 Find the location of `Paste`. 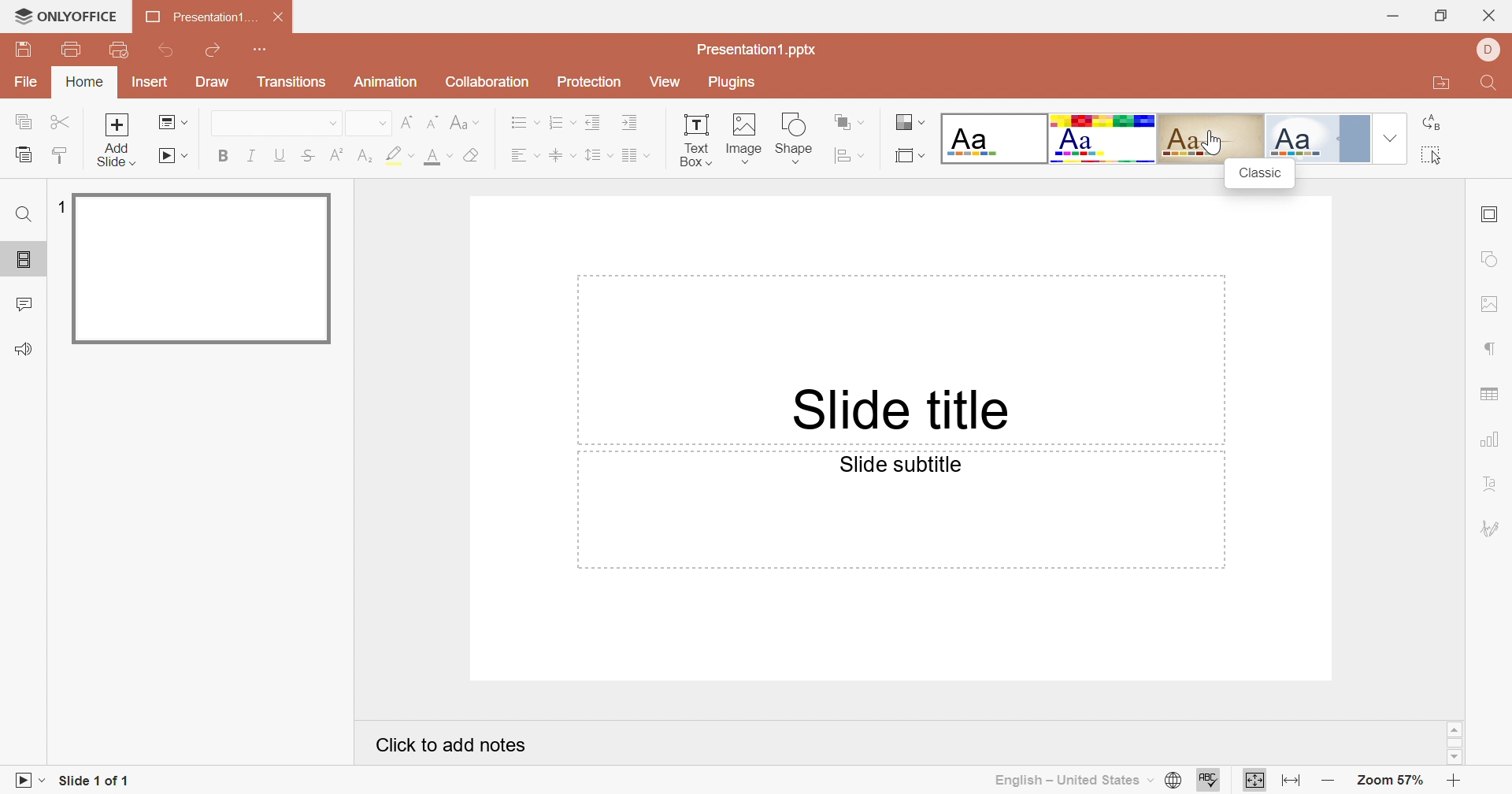

Paste is located at coordinates (24, 152).